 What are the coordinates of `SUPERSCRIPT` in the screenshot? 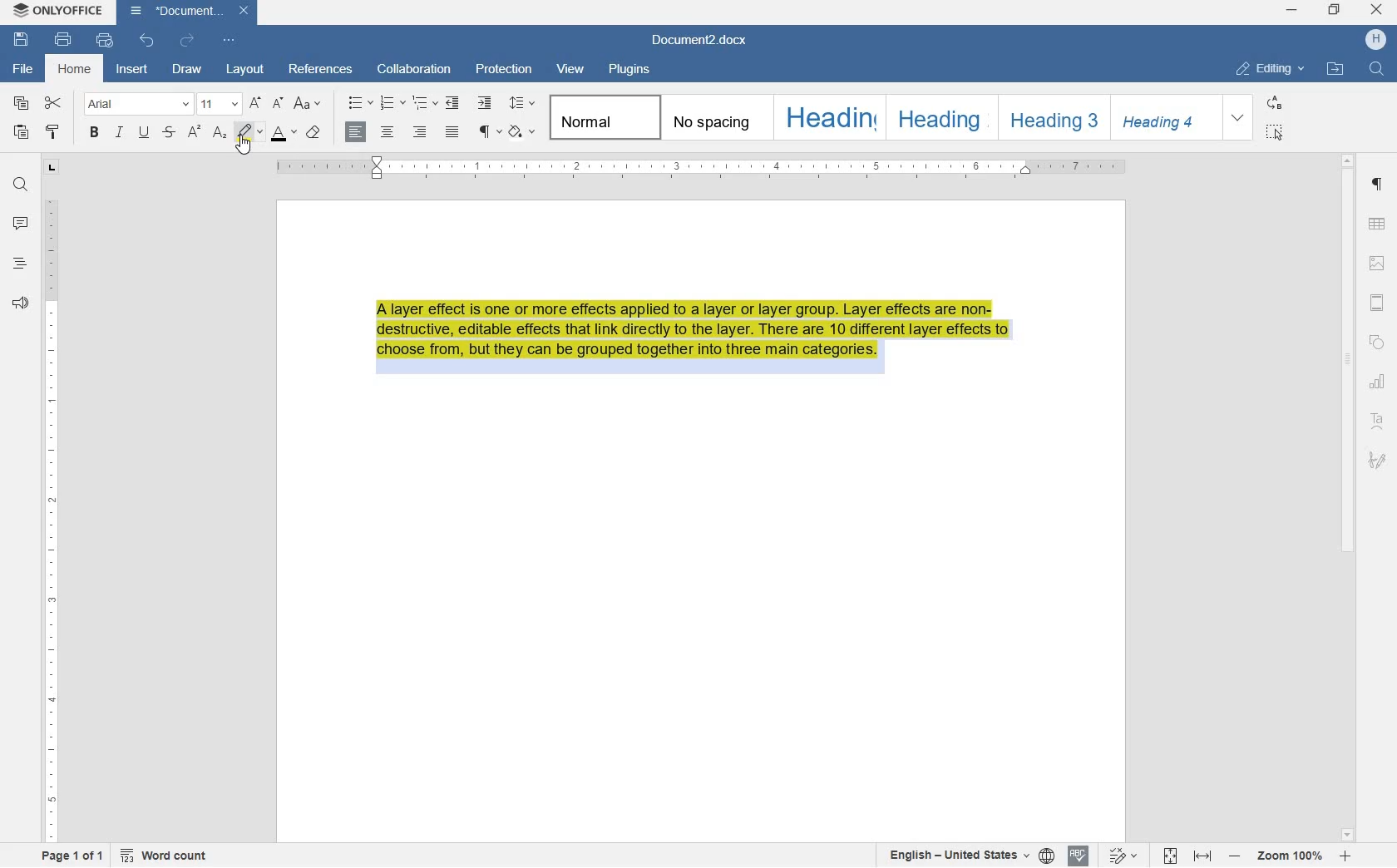 It's located at (194, 132).